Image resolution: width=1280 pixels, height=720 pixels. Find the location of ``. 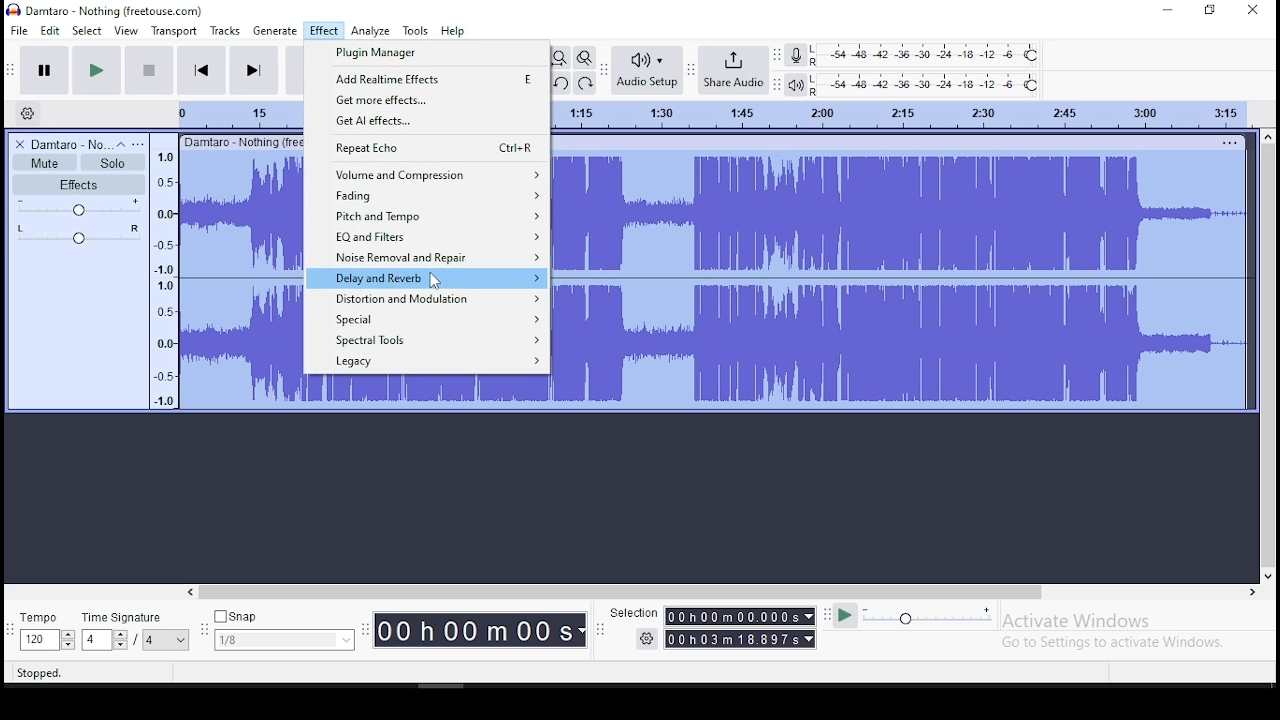

 is located at coordinates (690, 70).